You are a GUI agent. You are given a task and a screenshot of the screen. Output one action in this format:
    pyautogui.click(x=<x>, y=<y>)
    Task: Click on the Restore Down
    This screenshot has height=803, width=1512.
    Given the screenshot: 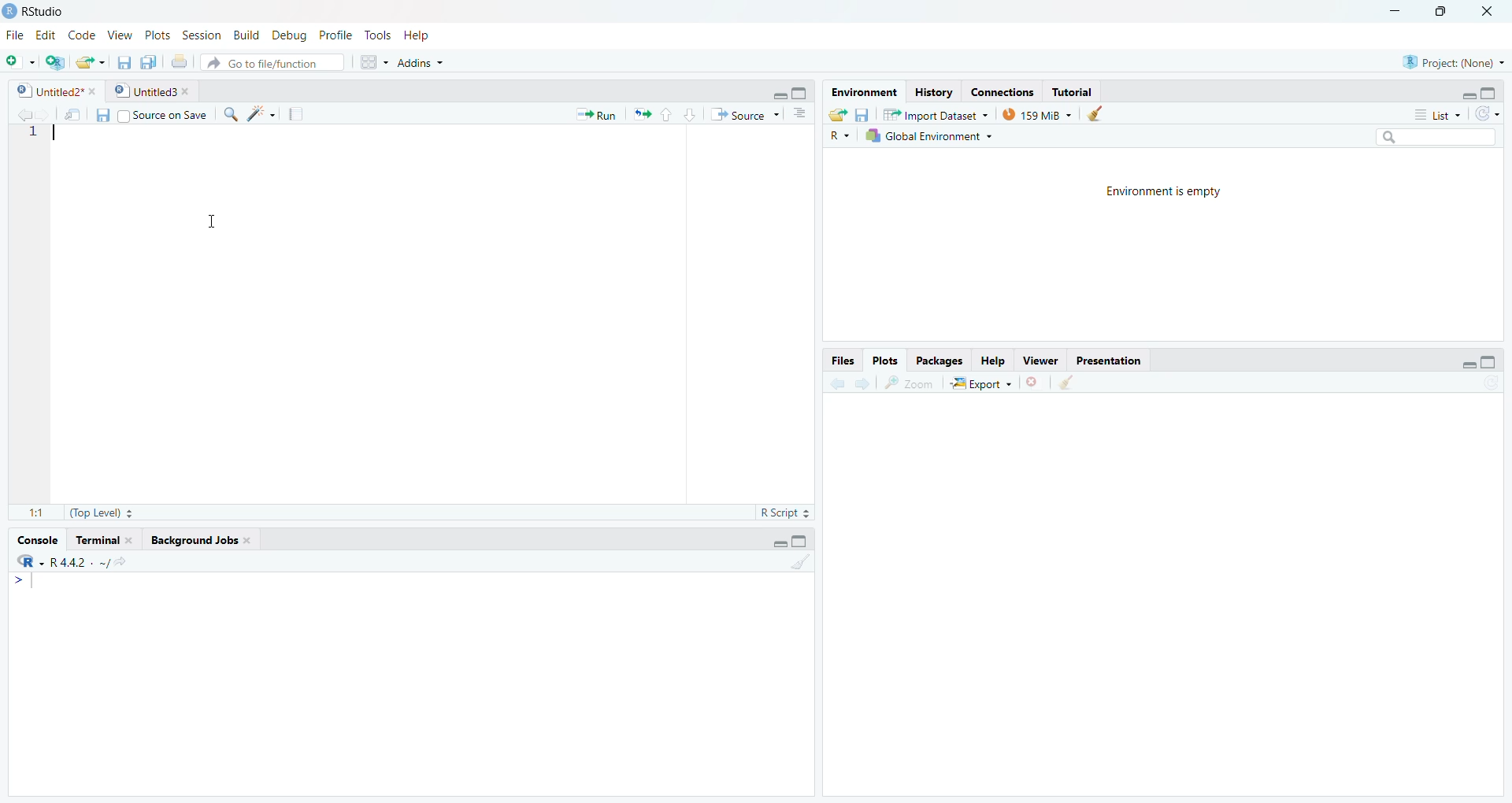 What is the action you would take?
    pyautogui.click(x=1448, y=12)
    